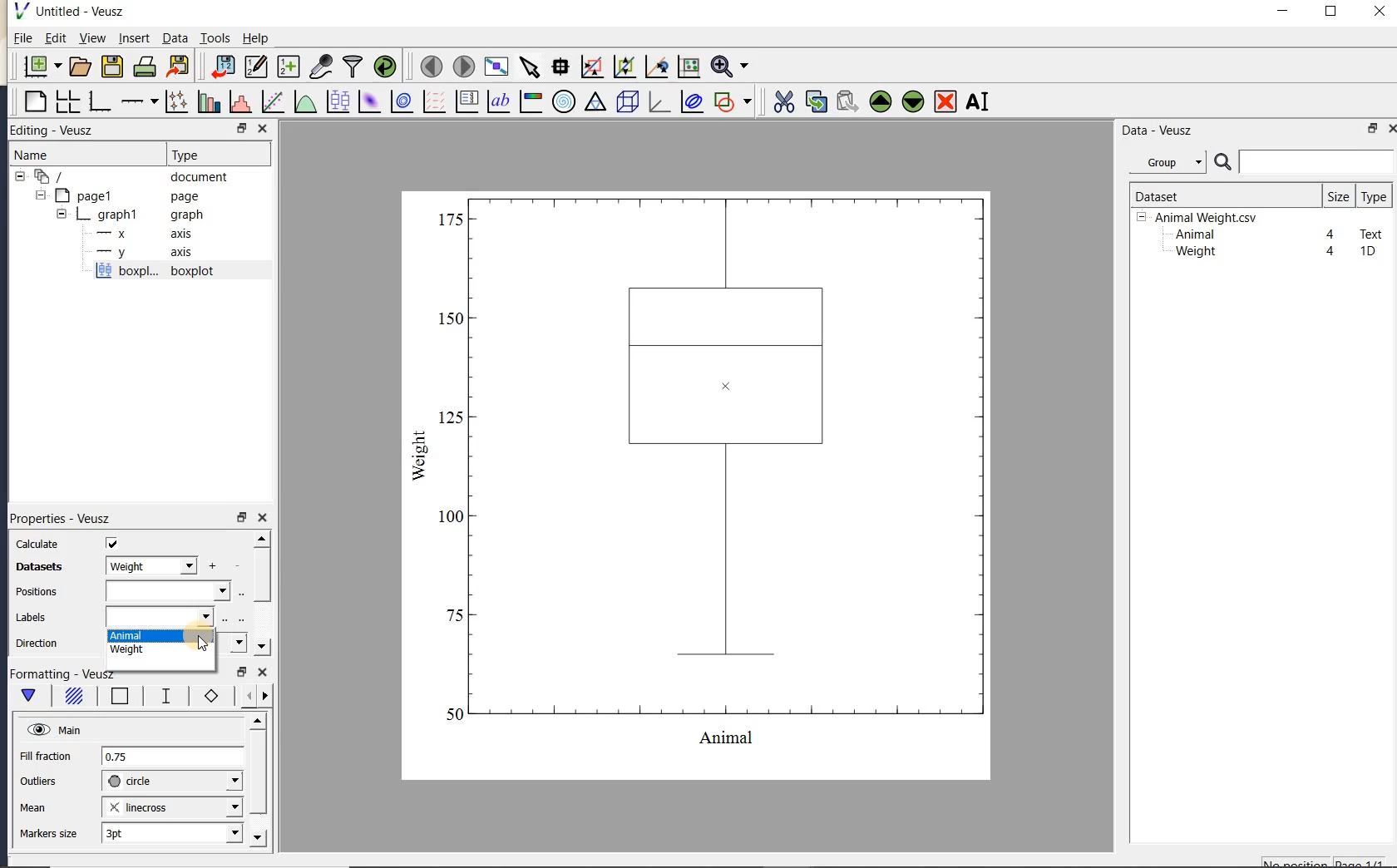 The image size is (1397, 868). Describe the element at coordinates (1373, 196) in the screenshot. I see `type` at that location.